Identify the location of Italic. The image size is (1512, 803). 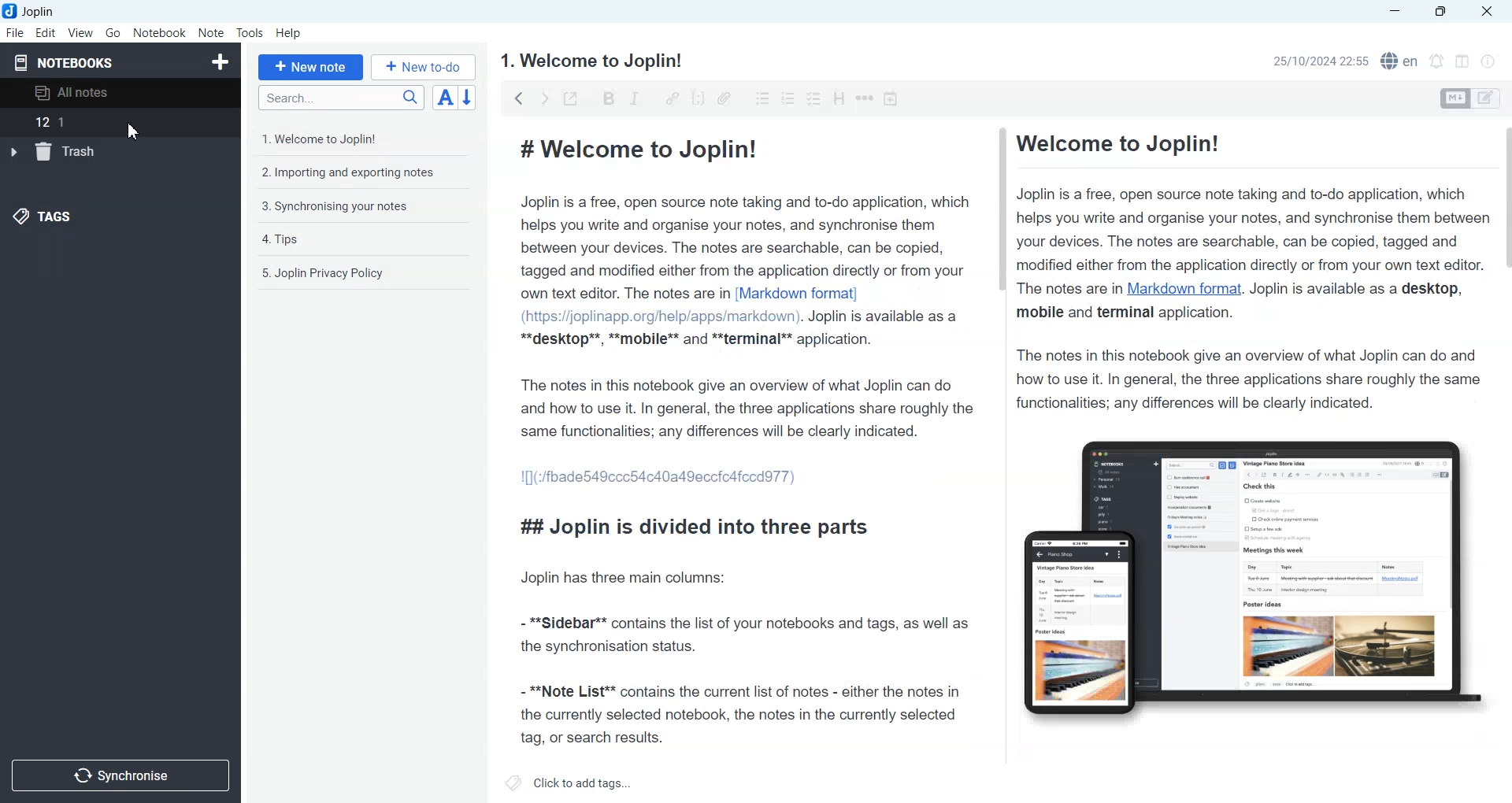
(636, 98).